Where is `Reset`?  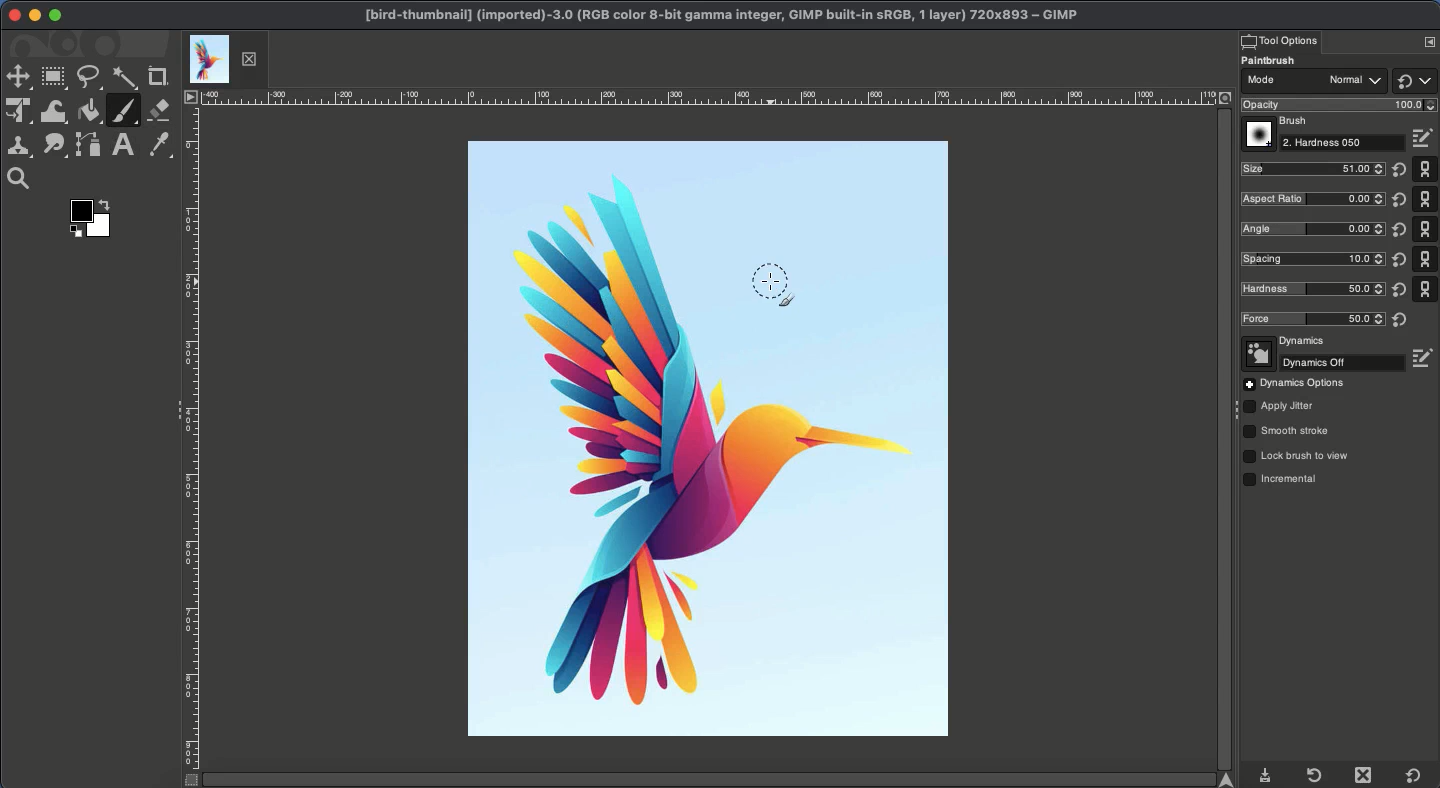 Reset is located at coordinates (1397, 245).